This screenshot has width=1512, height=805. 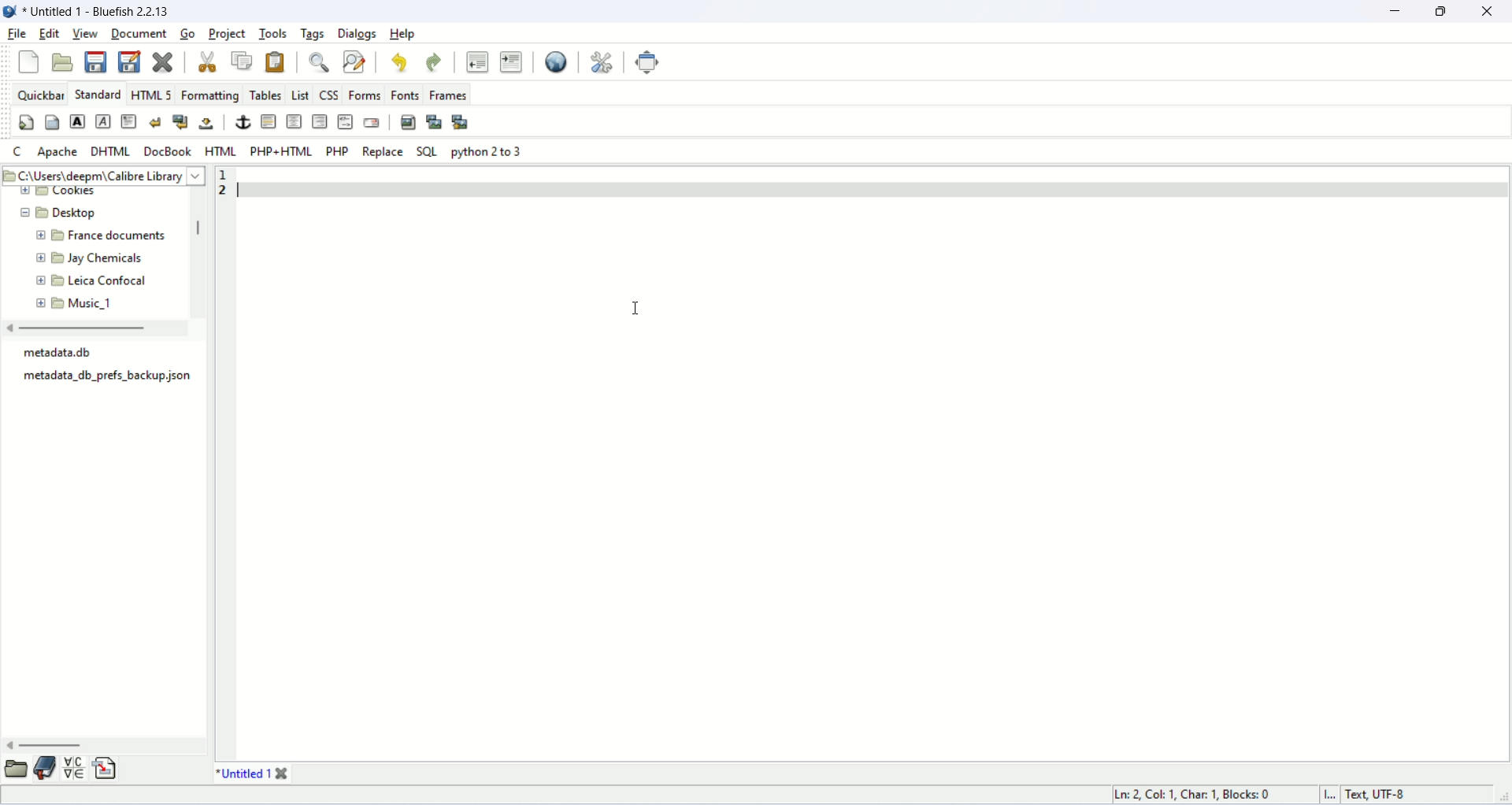 I want to click on undo, so click(x=400, y=61).